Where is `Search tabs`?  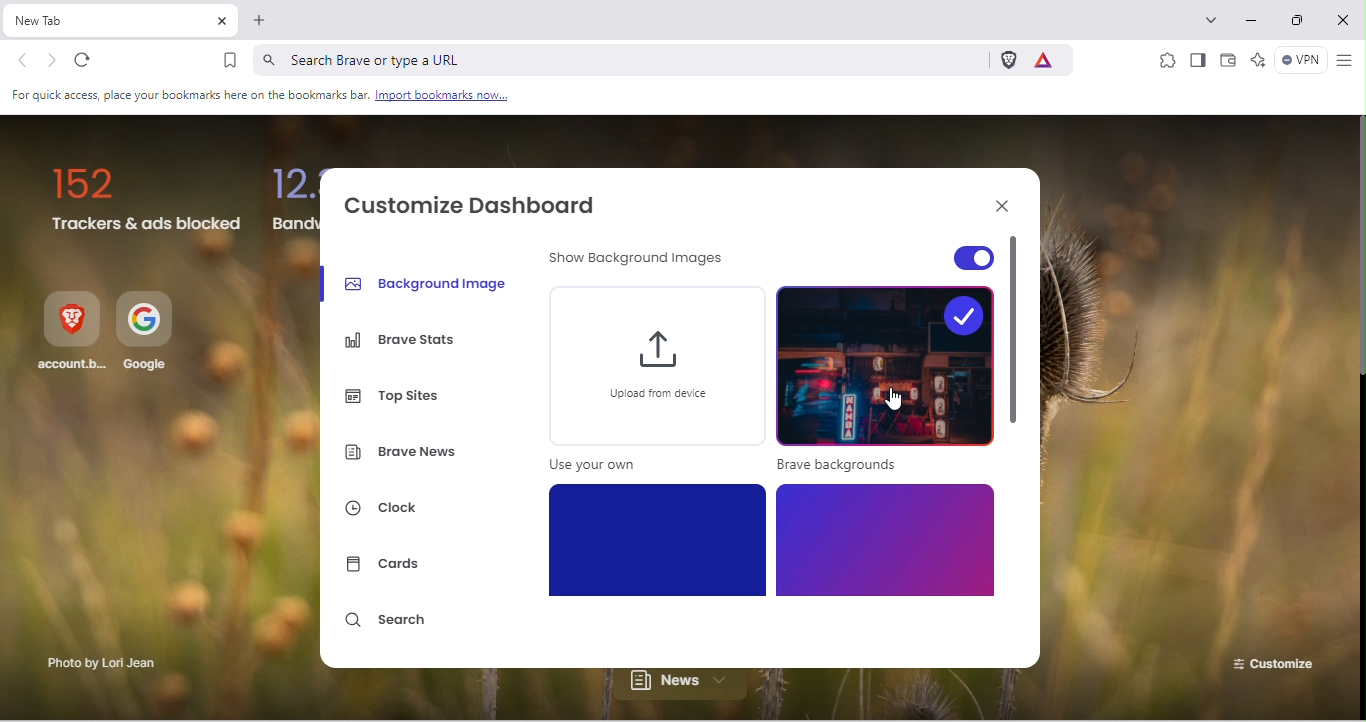 Search tabs is located at coordinates (1215, 18).